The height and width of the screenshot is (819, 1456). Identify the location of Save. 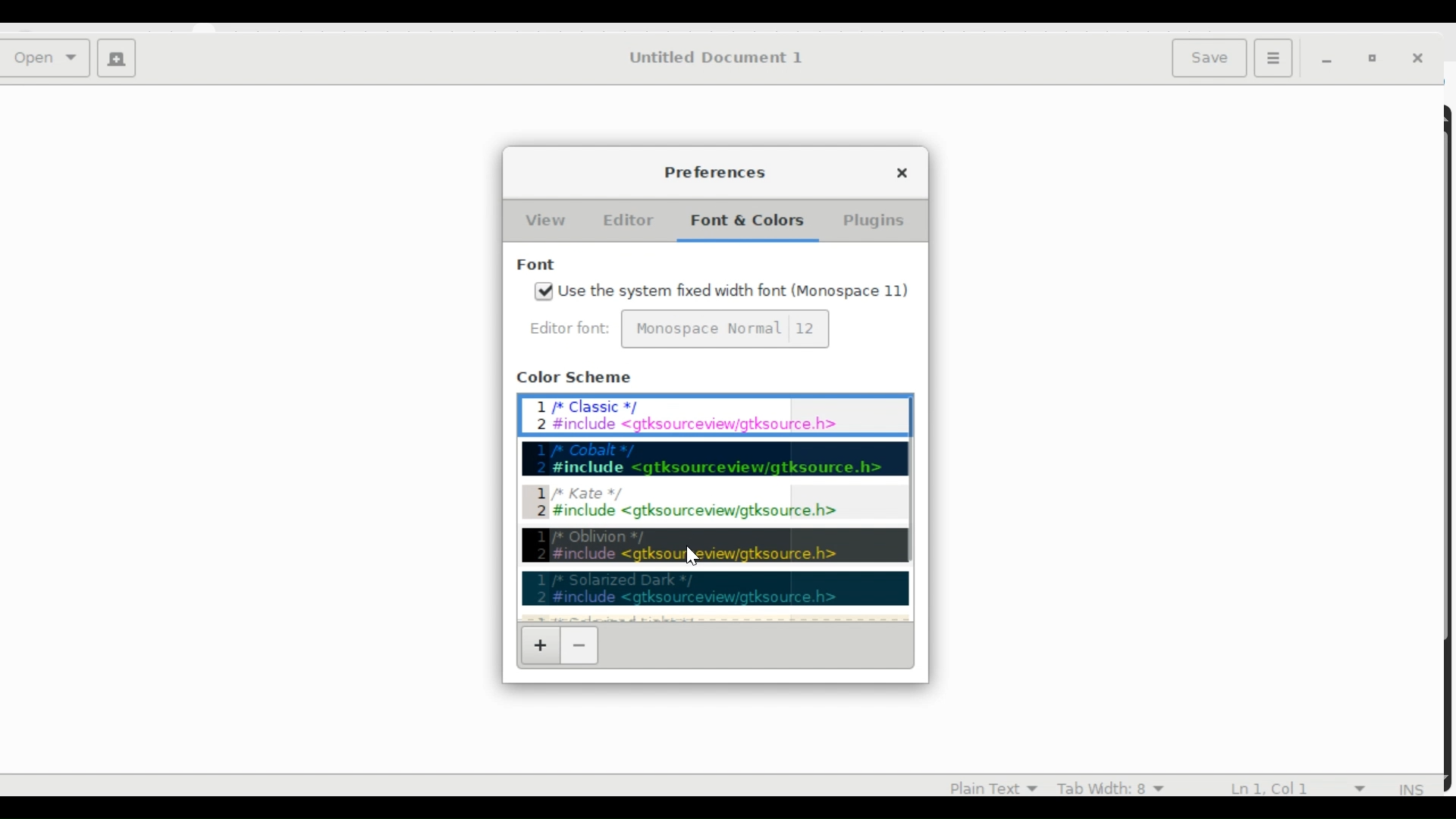
(1212, 57).